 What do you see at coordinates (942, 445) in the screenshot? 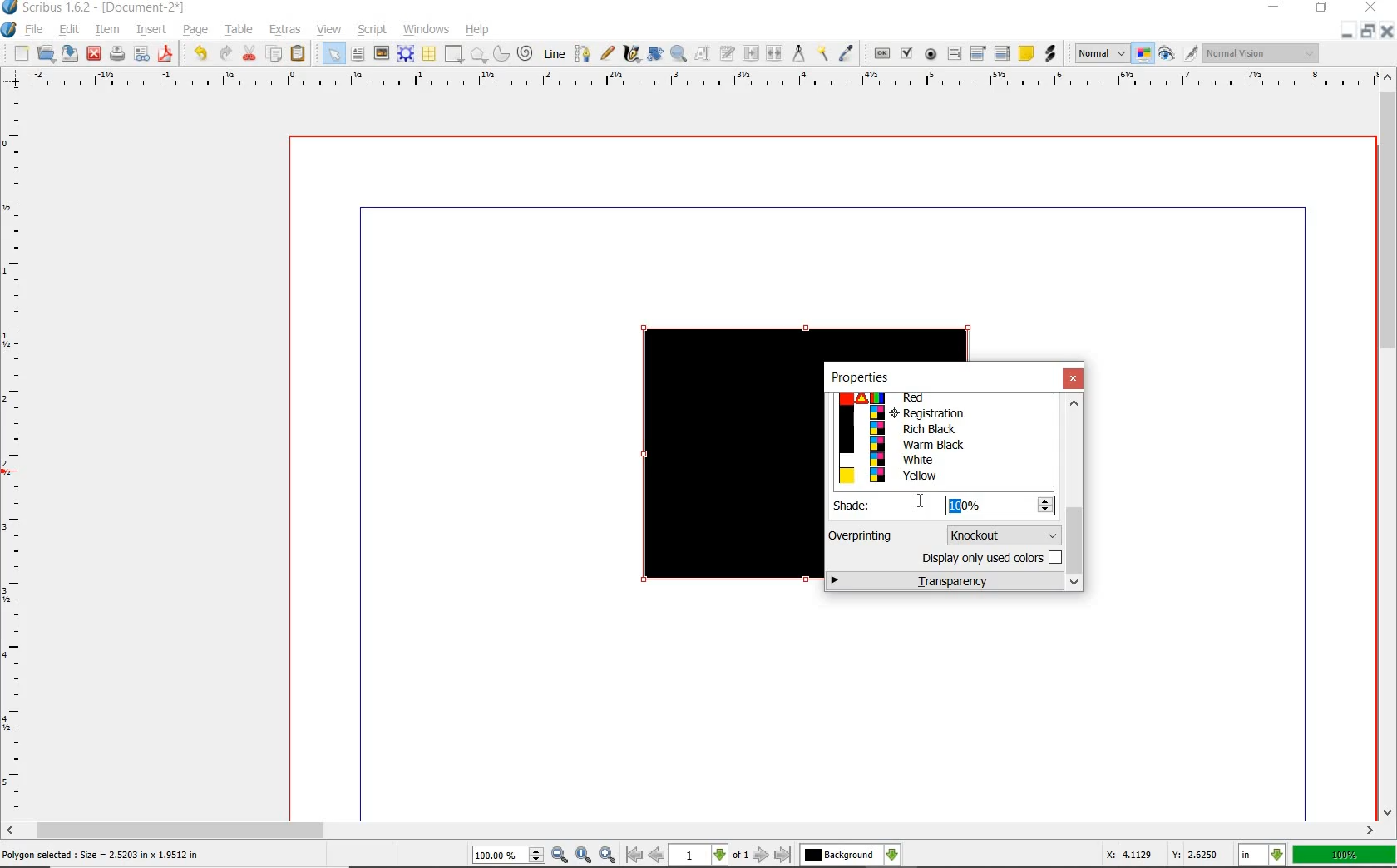
I see `Warm Black` at bounding box center [942, 445].